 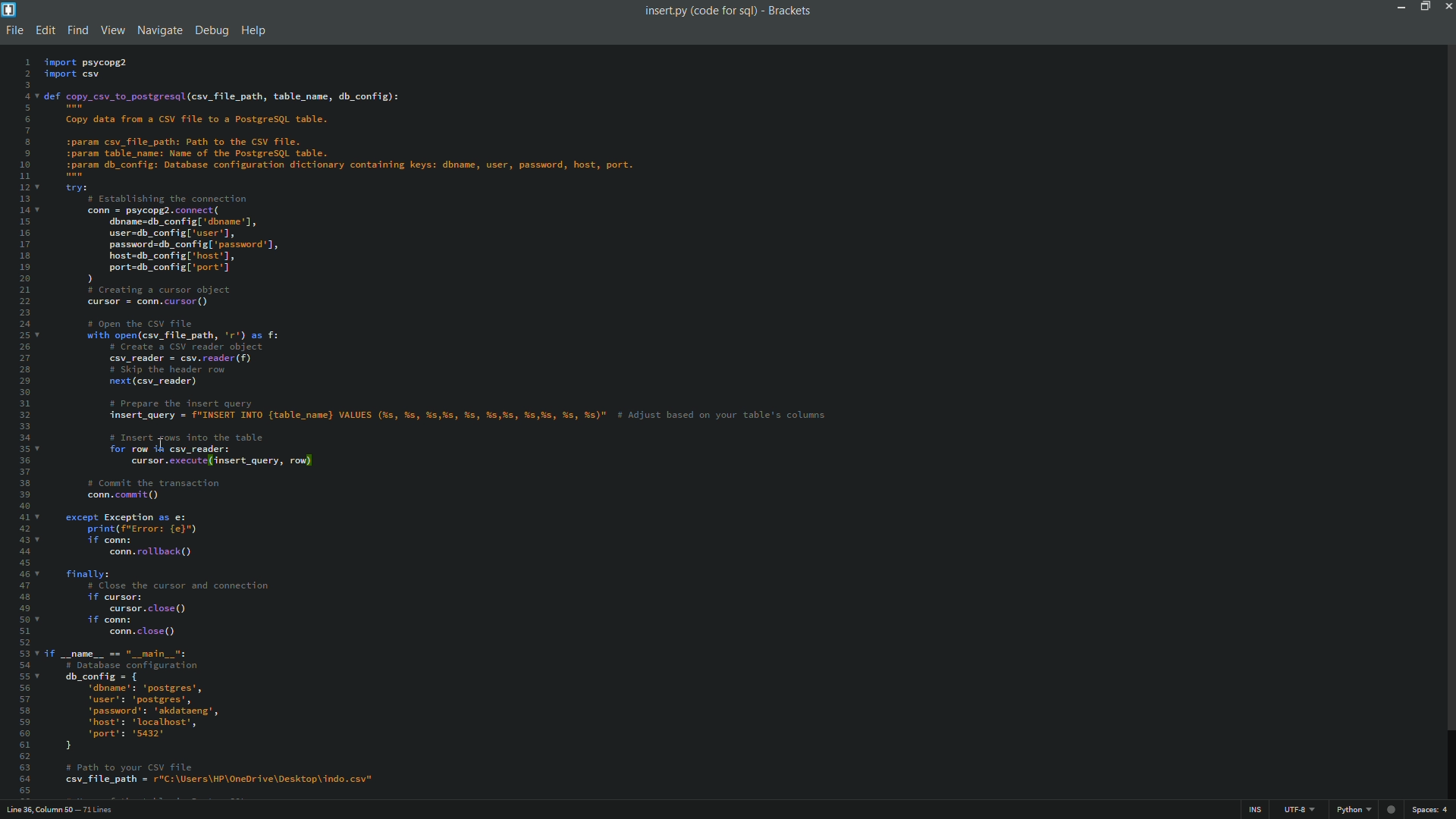 I want to click on edit menu, so click(x=45, y=30).